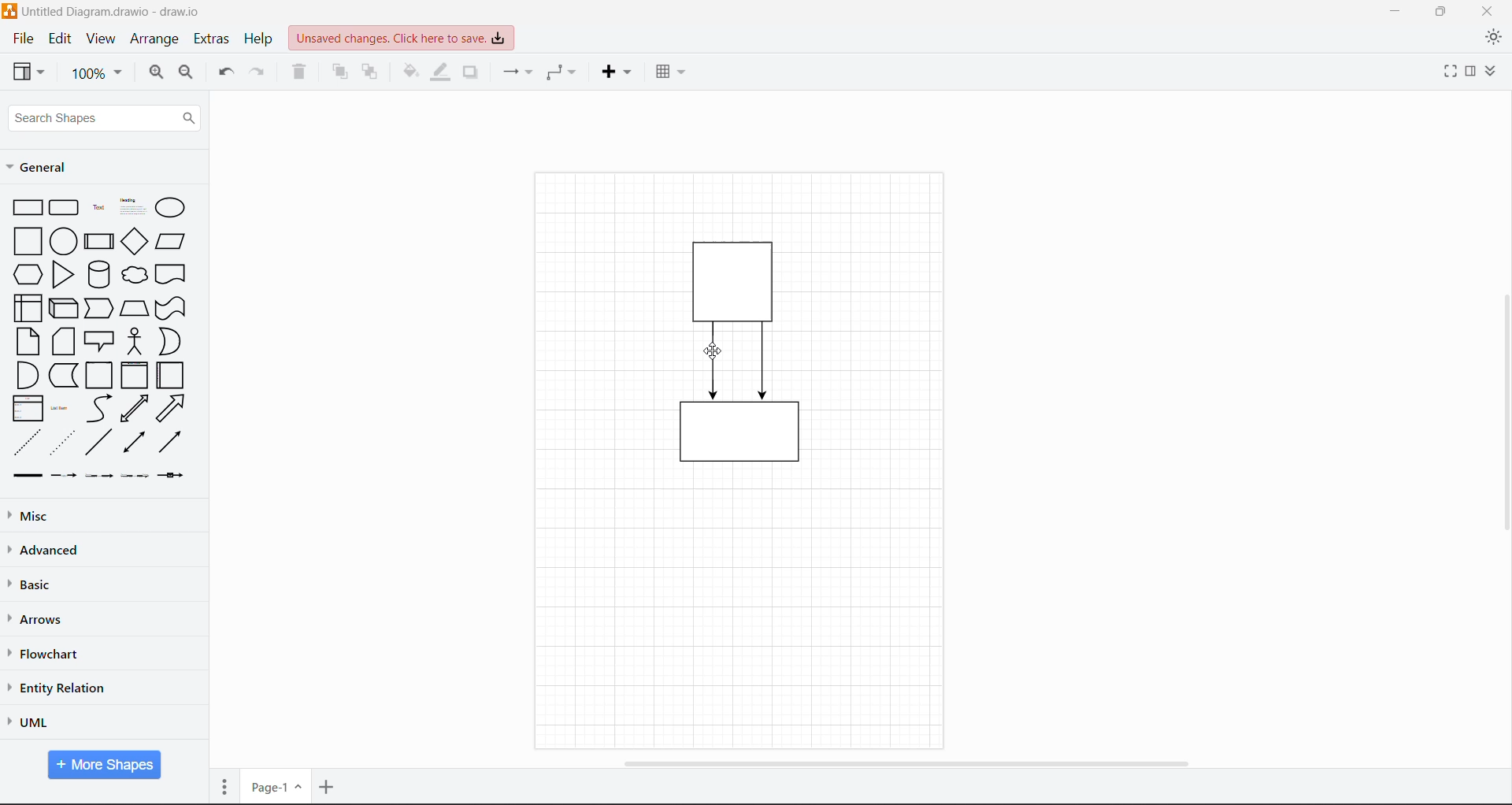  Describe the element at coordinates (98, 274) in the screenshot. I see `Cylinder` at that location.